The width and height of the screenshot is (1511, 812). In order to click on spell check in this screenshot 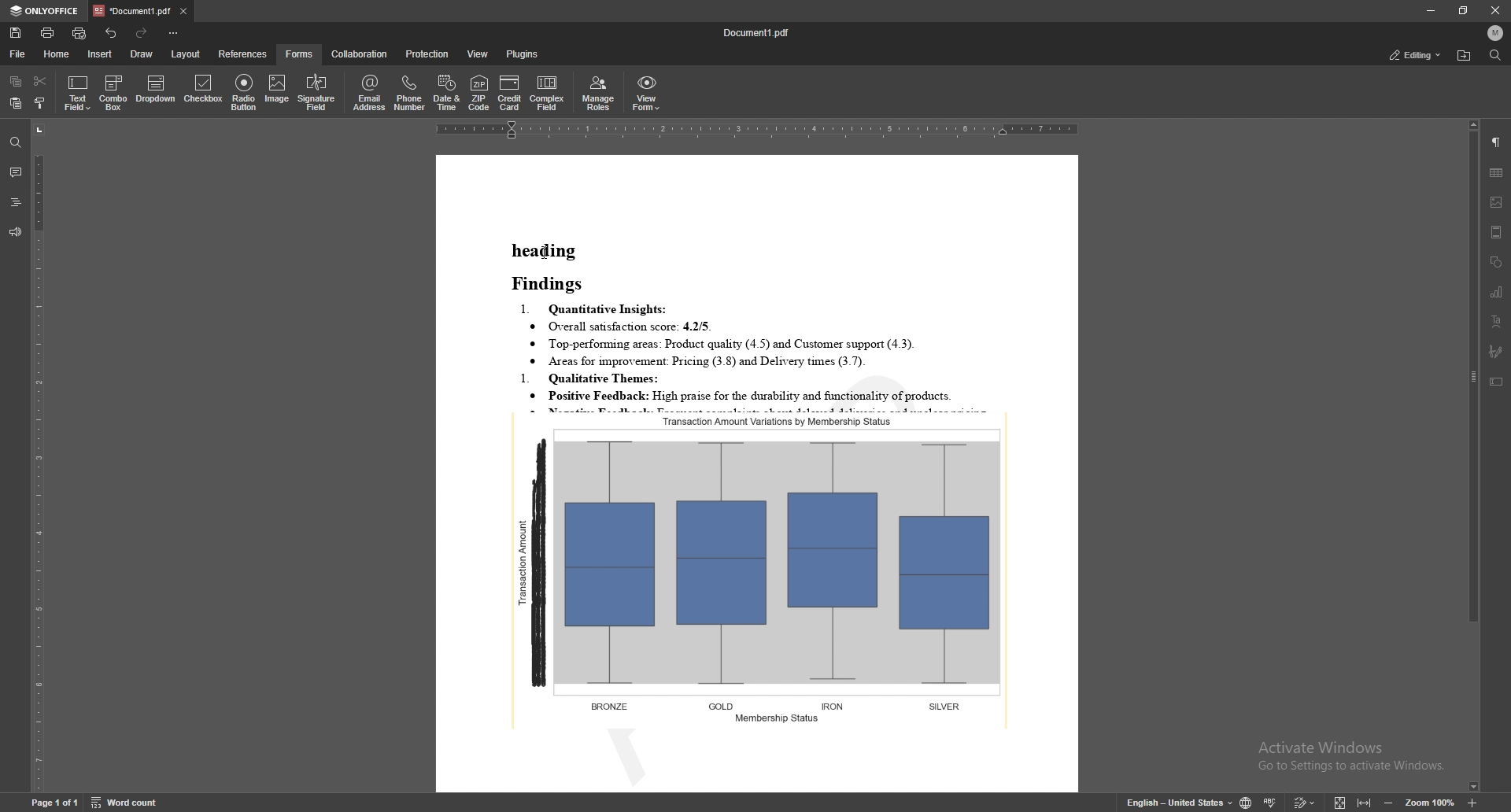, I will do `click(1271, 802)`.